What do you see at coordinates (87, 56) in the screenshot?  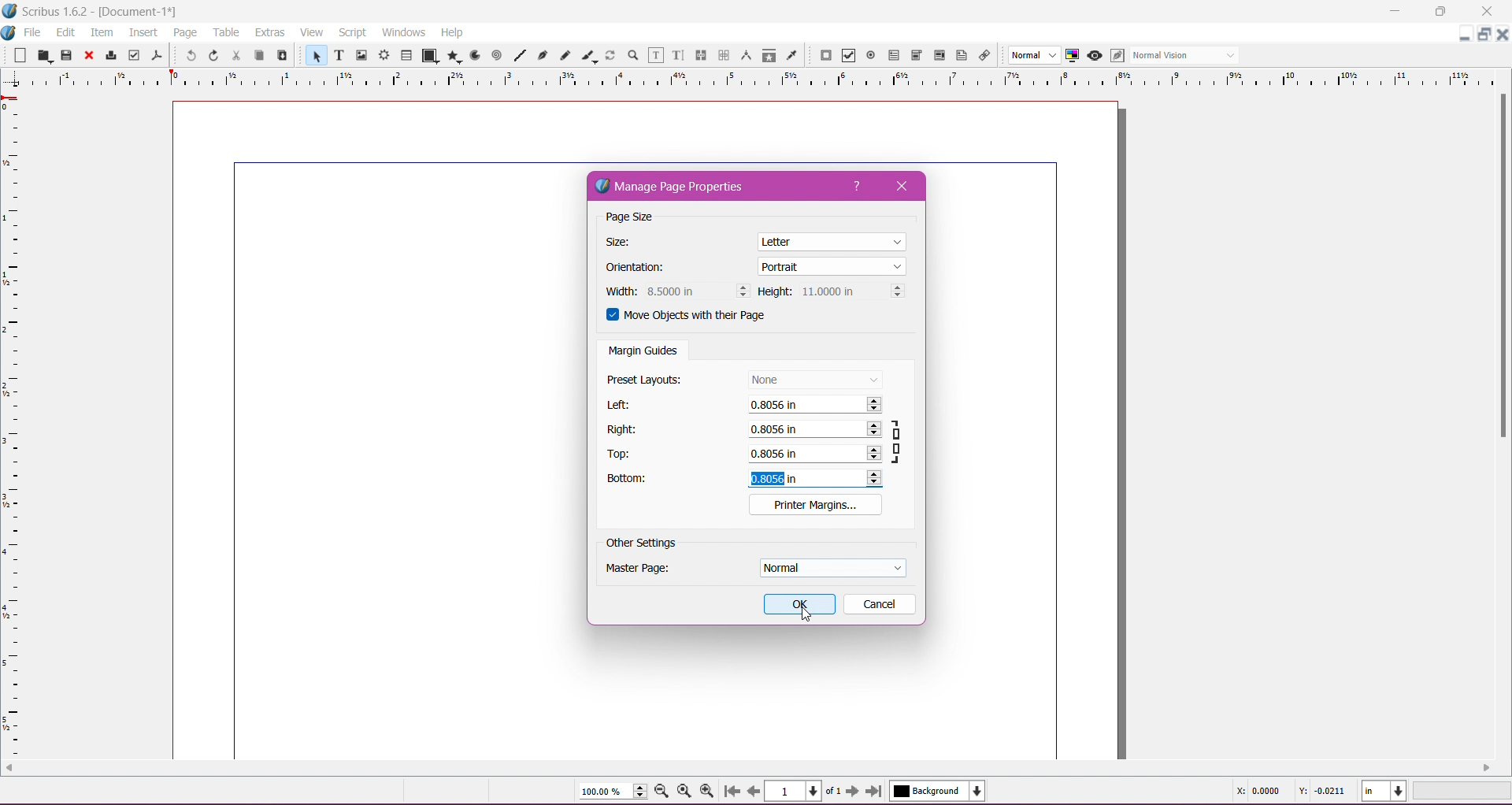 I see `Close` at bounding box center [87, 56].